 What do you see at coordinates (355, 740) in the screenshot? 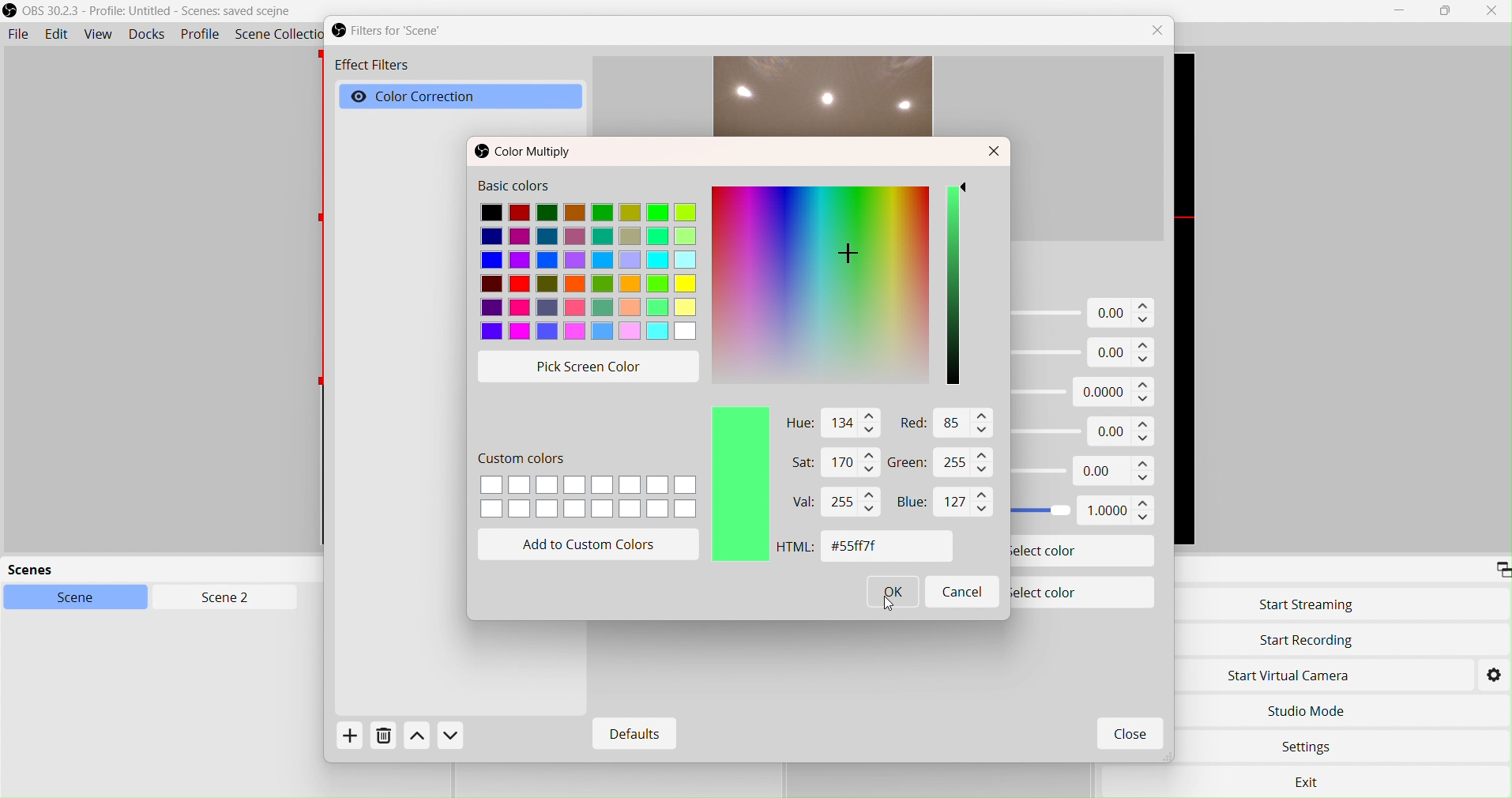
I see `Add` at bounding box center [355, 740].